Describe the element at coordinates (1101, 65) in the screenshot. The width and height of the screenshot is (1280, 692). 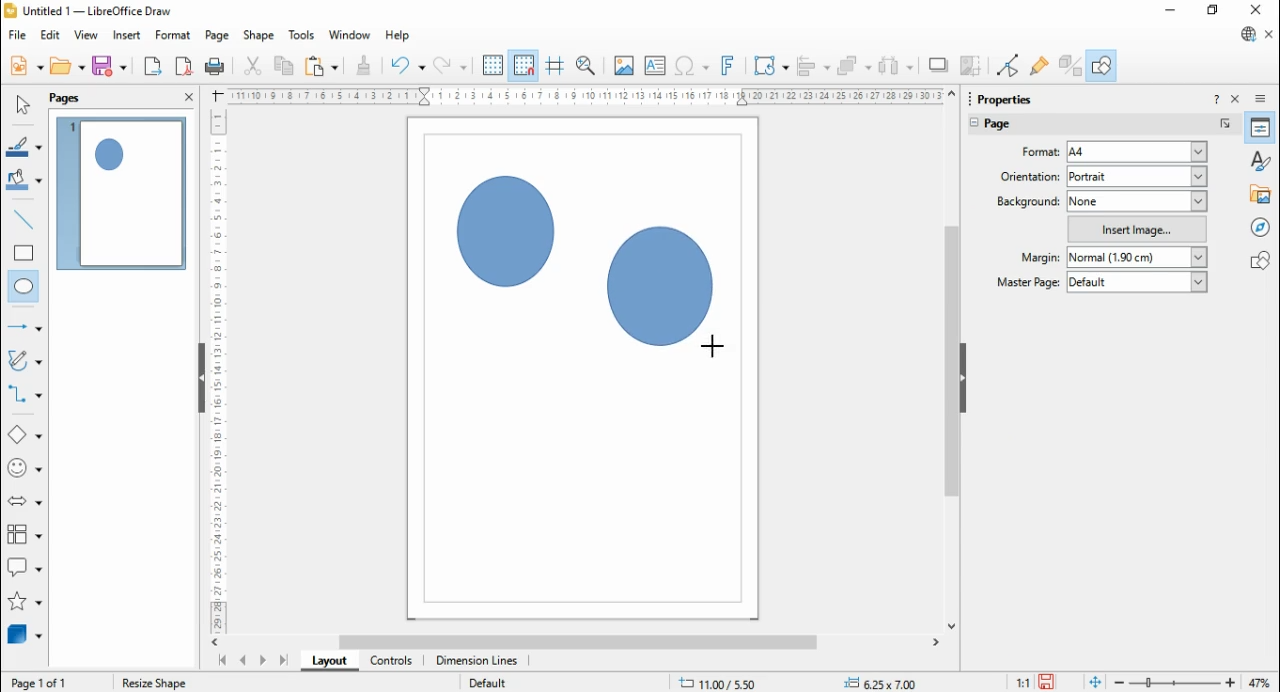
I see `show draw functions` at that location.